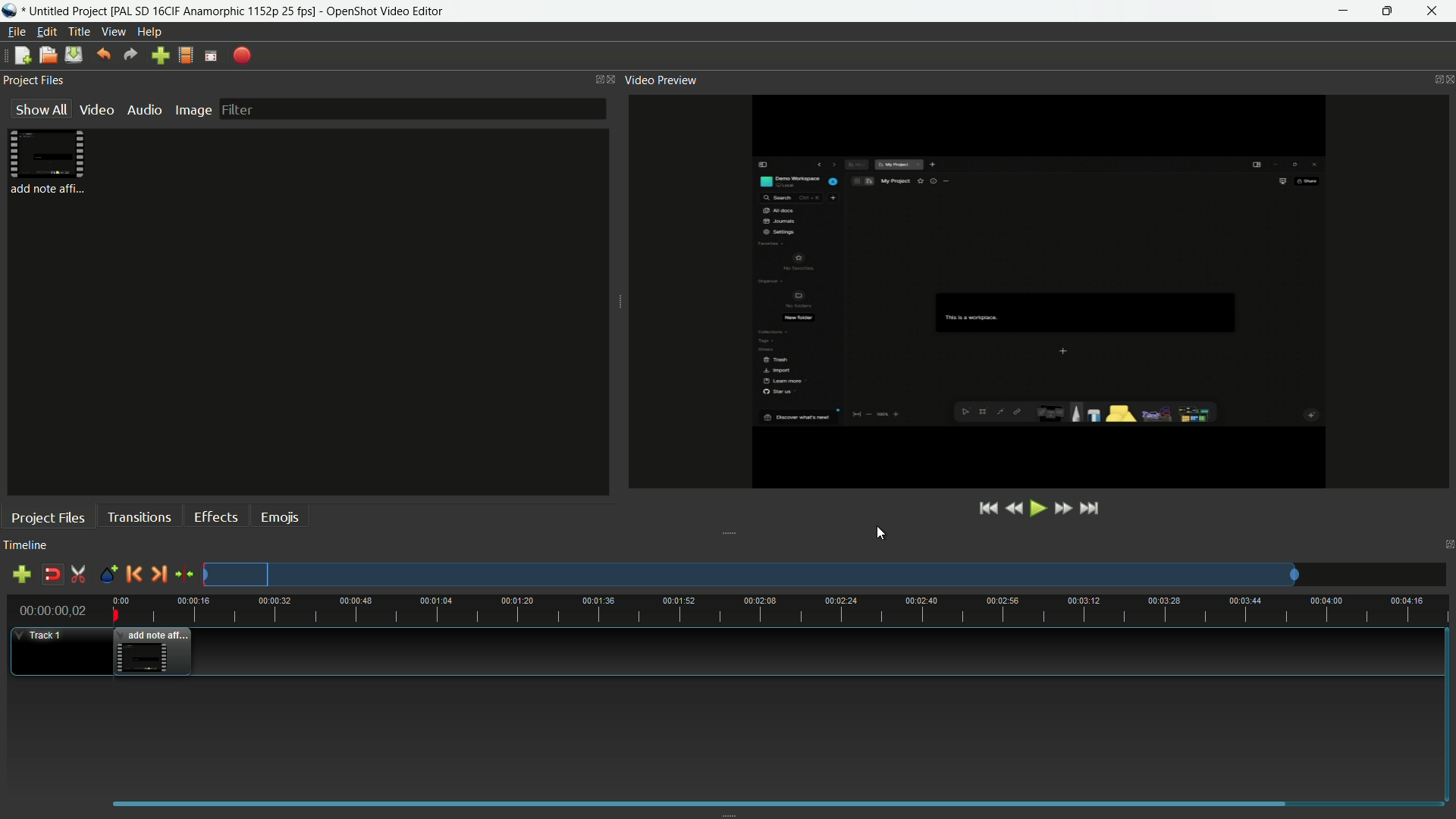  I want to click on current time, so click(49, 612).